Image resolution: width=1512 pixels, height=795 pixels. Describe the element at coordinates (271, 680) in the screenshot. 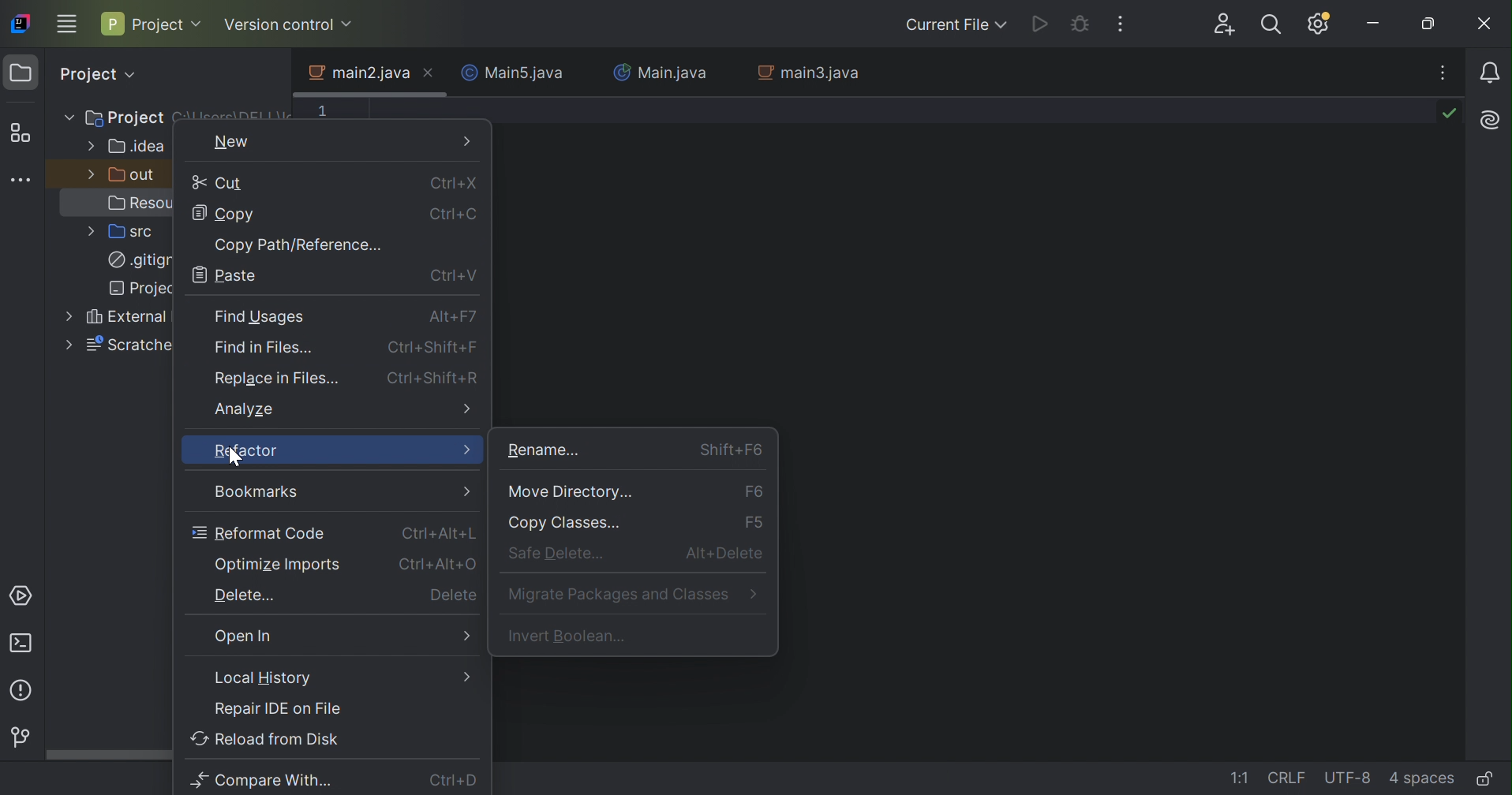

I see `Local Hostory` at that location.